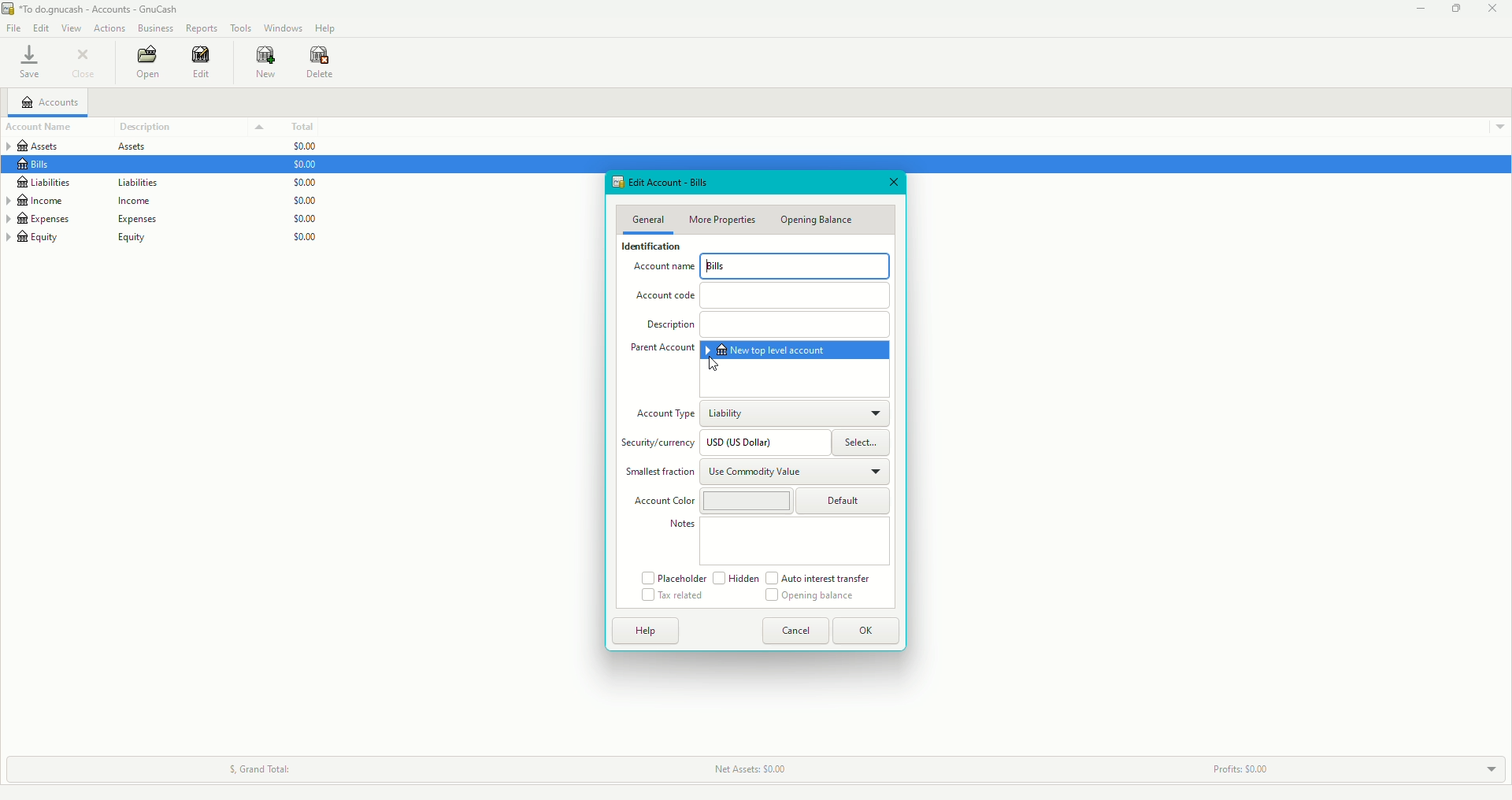 The width and height of the screenshot is (1512, 800). I want to click on Actions, so click(108, 27).